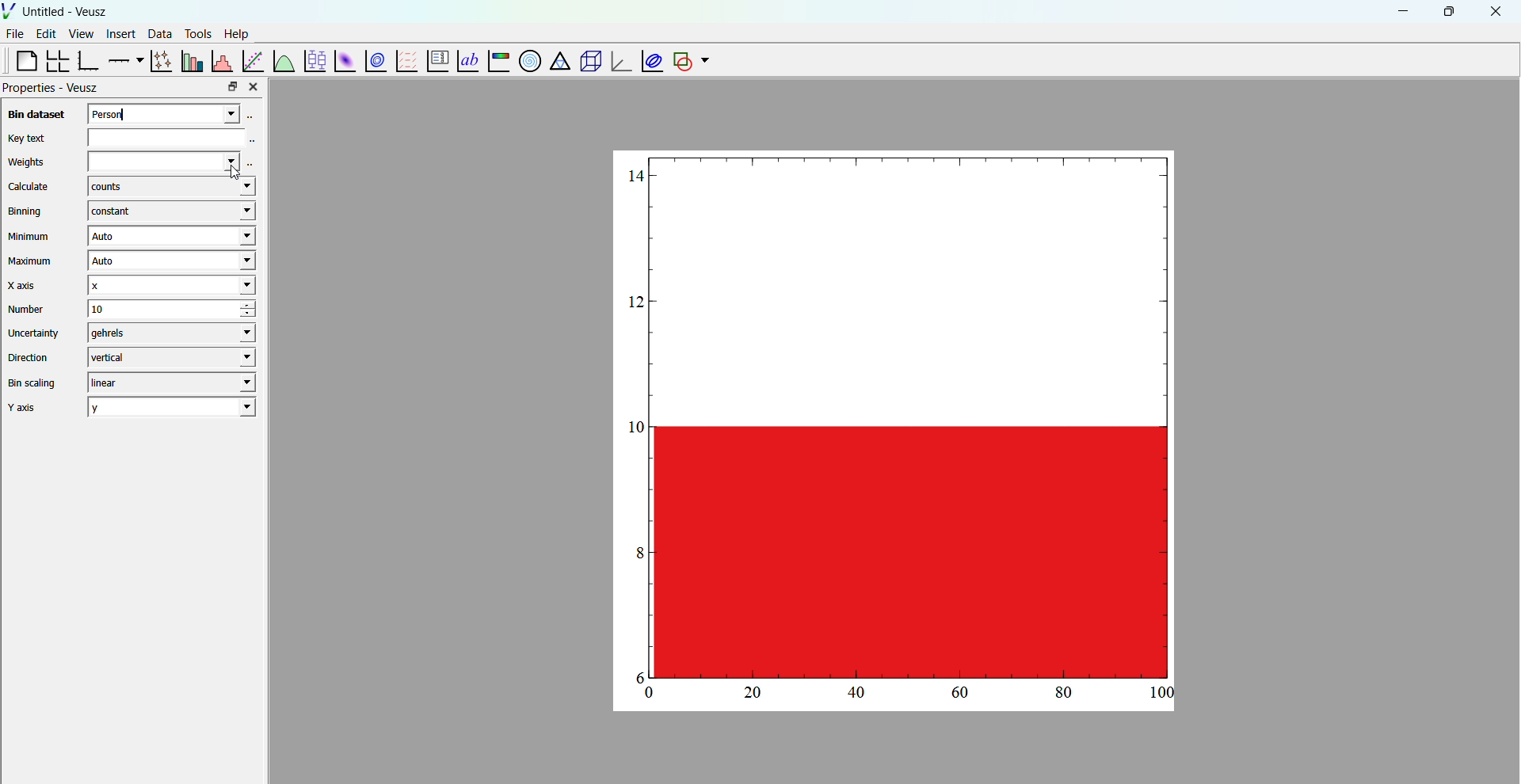  I want to click on Auto , so click(170, 237).